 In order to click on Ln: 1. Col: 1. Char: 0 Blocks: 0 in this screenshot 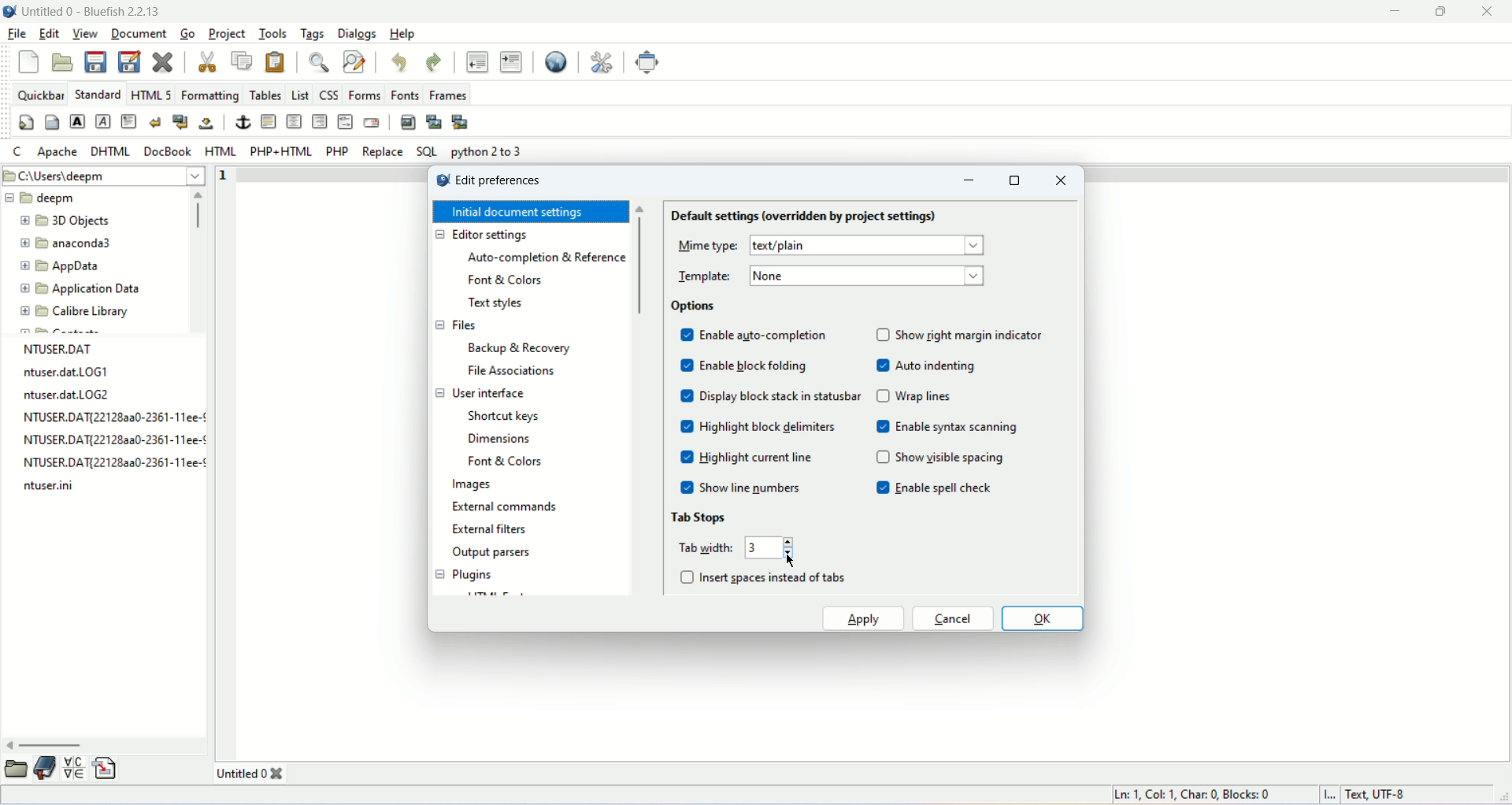, I will do `click(1195, 793)`.